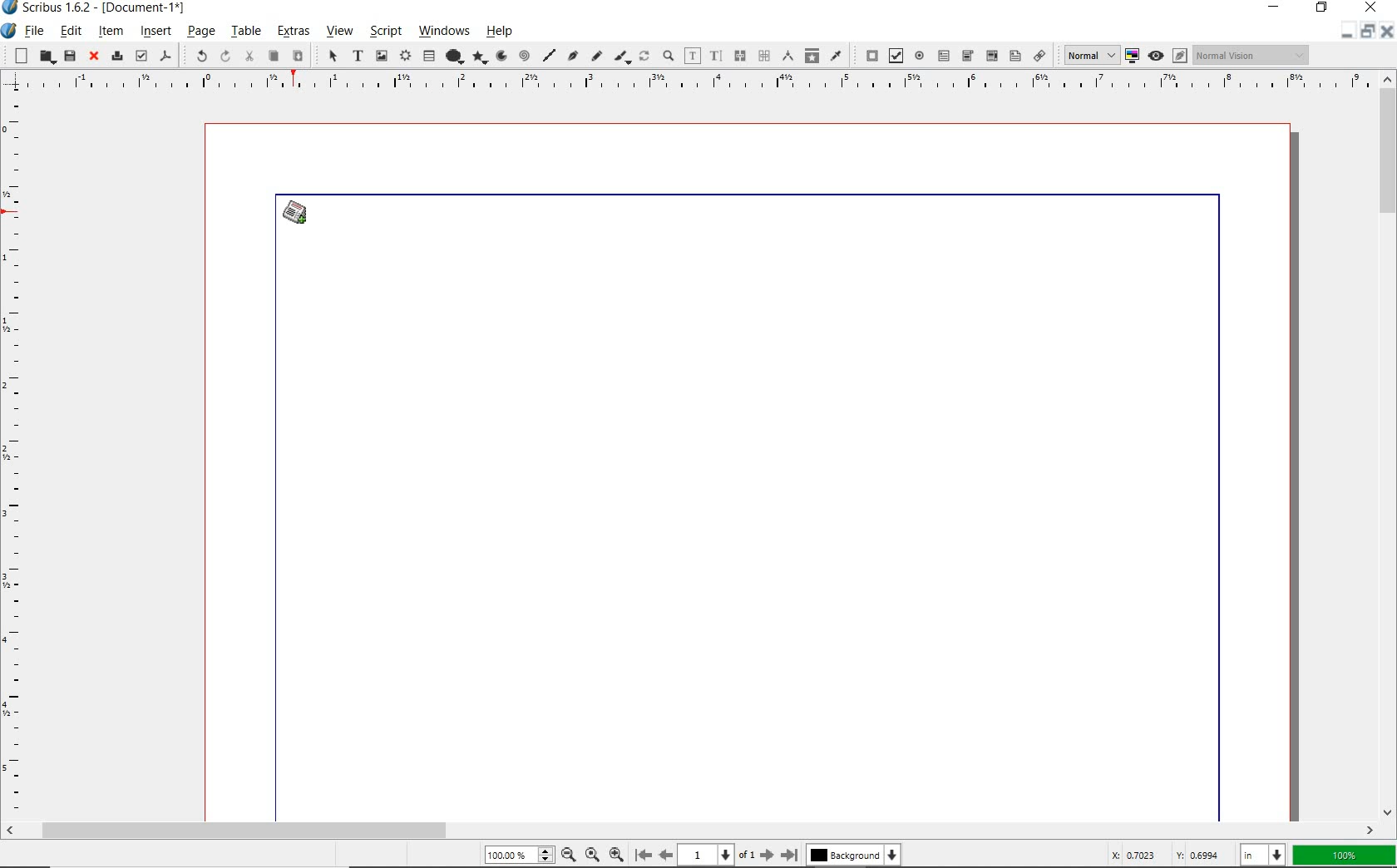  What do you see at coordinates (594, 855) in the screenshot?
I see `Zoom to 100%` at bounding box center [594, 855].